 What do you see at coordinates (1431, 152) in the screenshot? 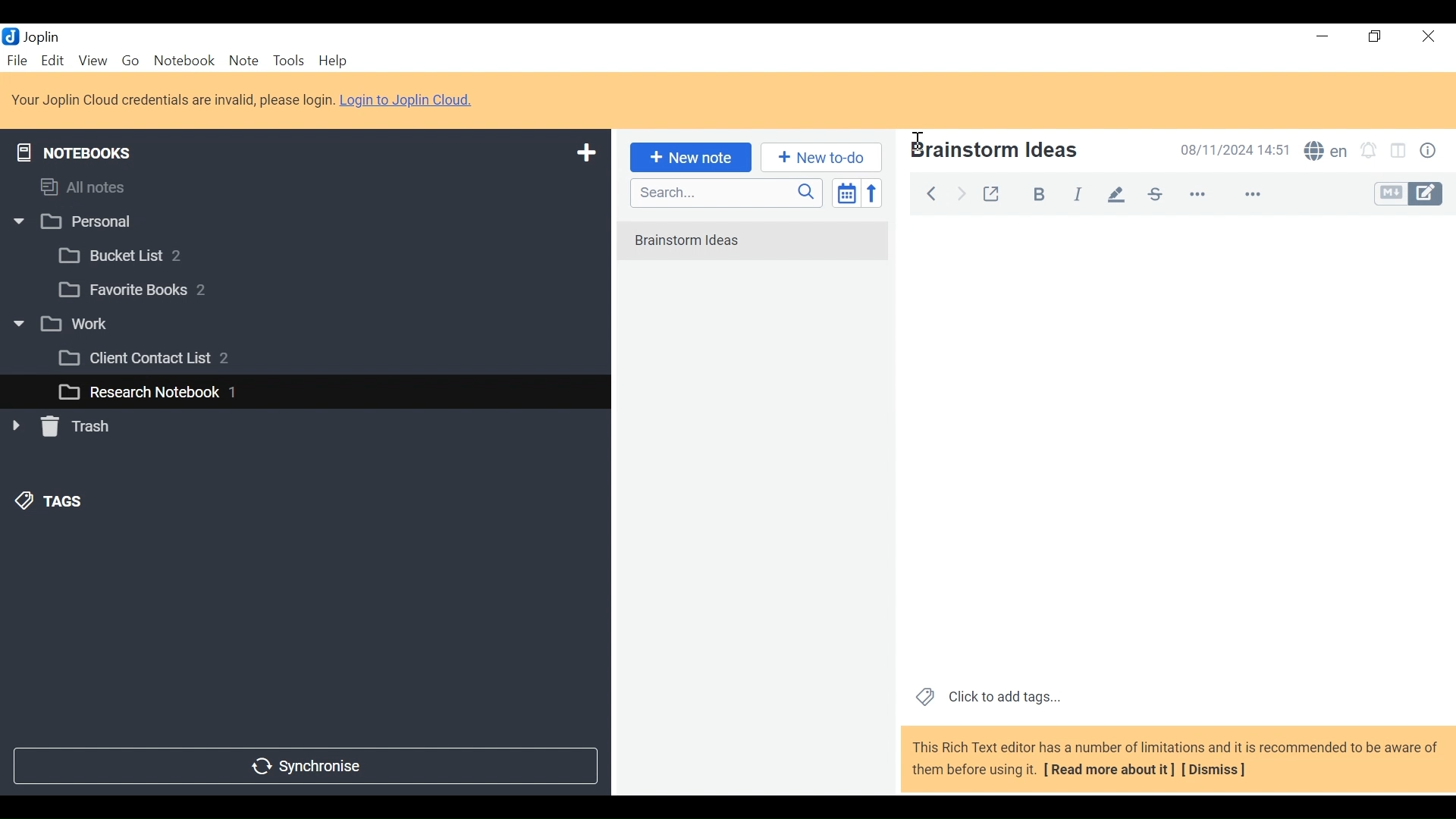
I see `Note properties` at bounding box center [1431, 152].